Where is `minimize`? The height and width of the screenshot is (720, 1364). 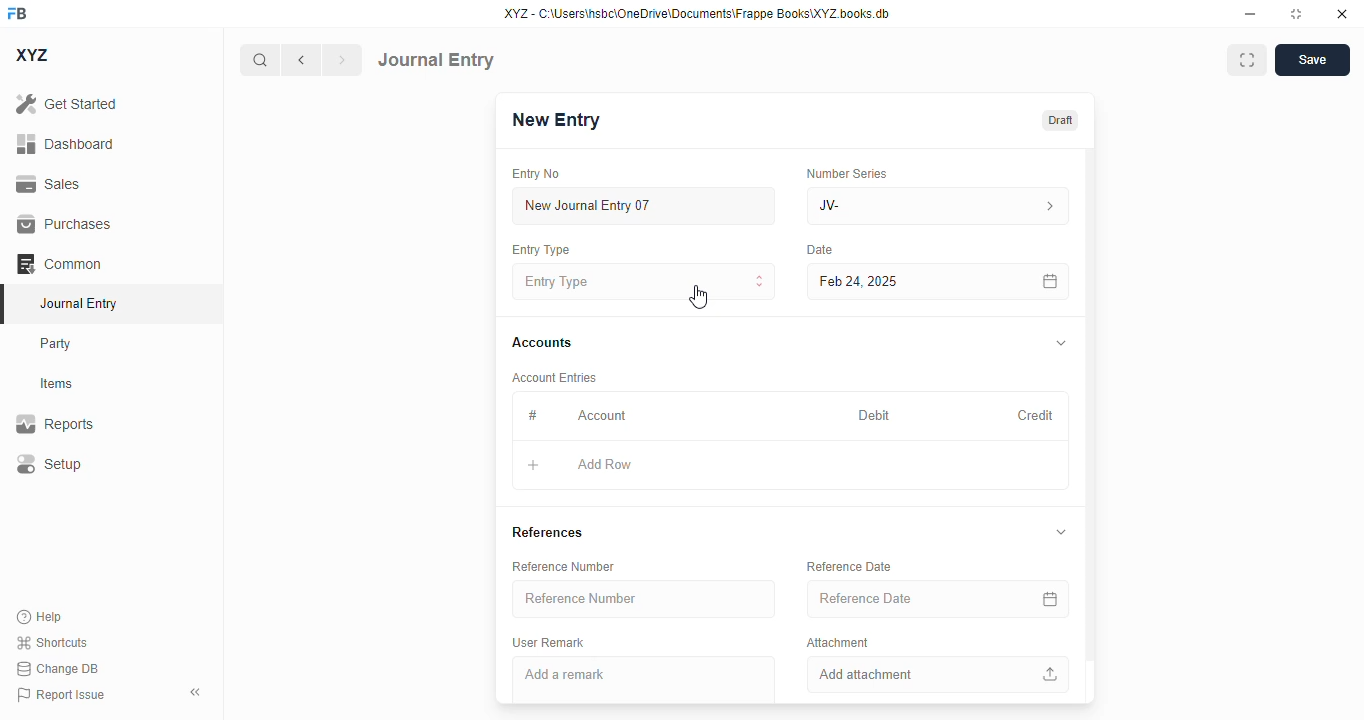 minimize is located at coordinates (1251, 14).